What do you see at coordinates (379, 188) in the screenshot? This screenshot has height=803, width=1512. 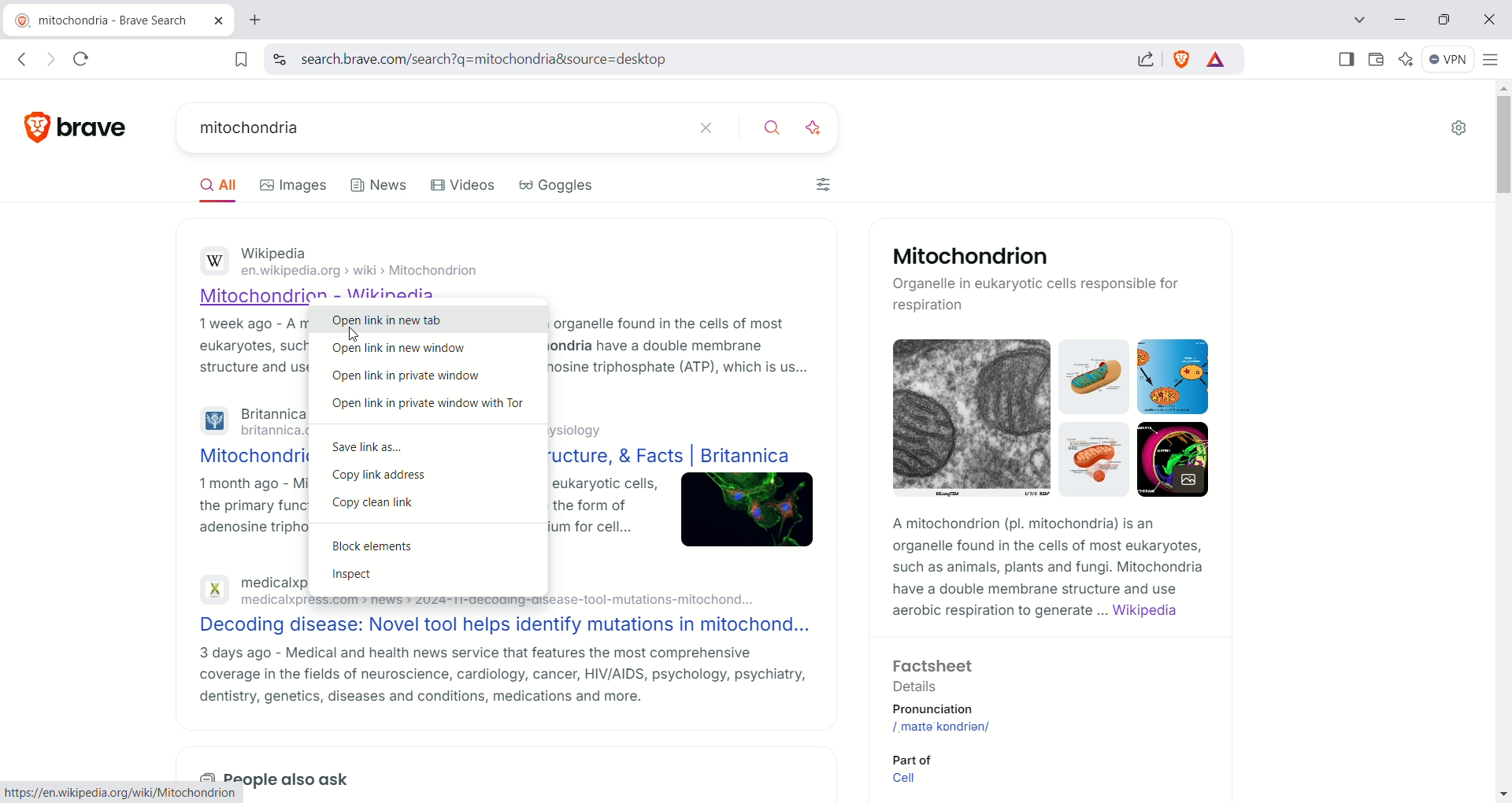 I see `news` at bounding box center [379, 188].